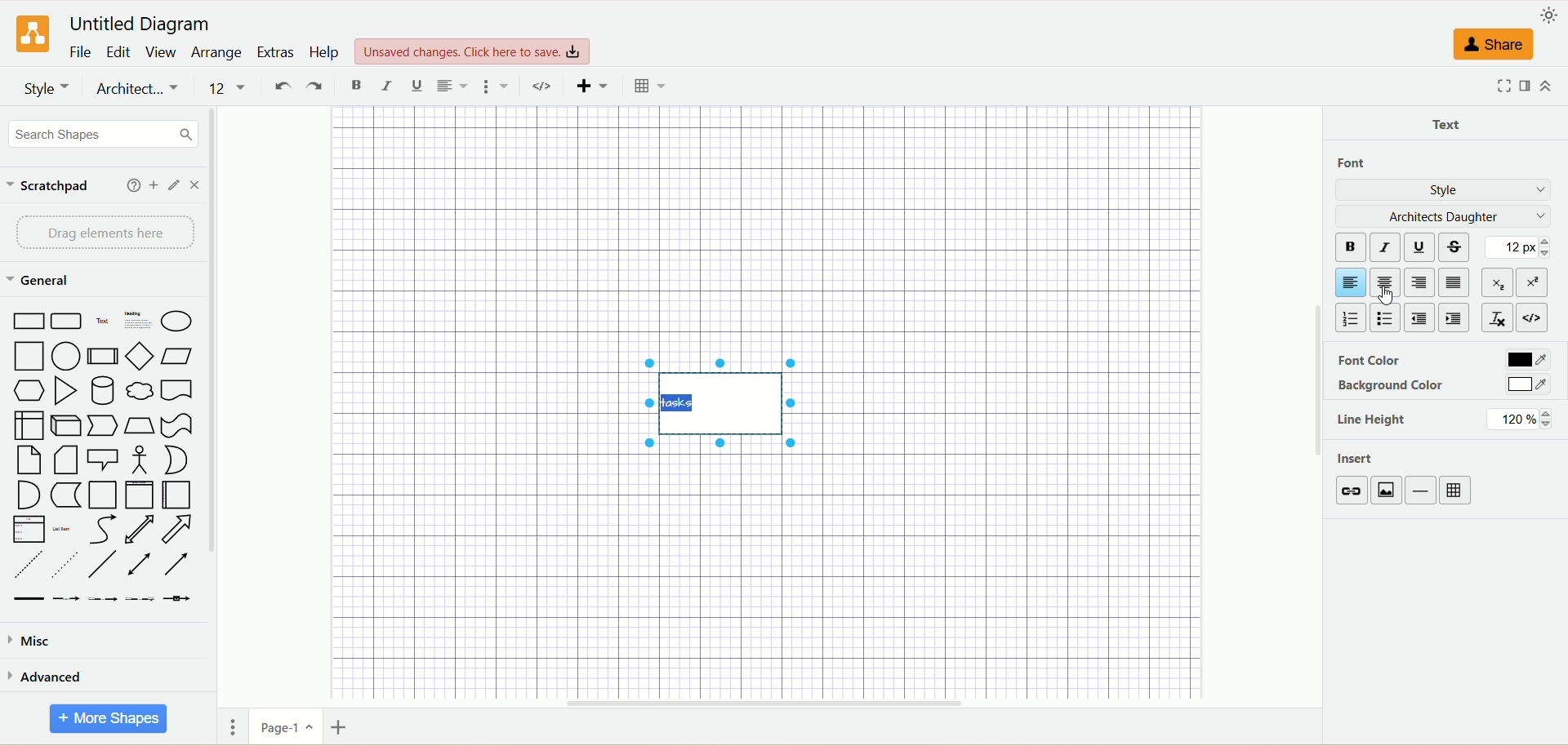 This screenshot has height=746, width=1568. I want to click on Curved Rectangle, so click(68, 322).